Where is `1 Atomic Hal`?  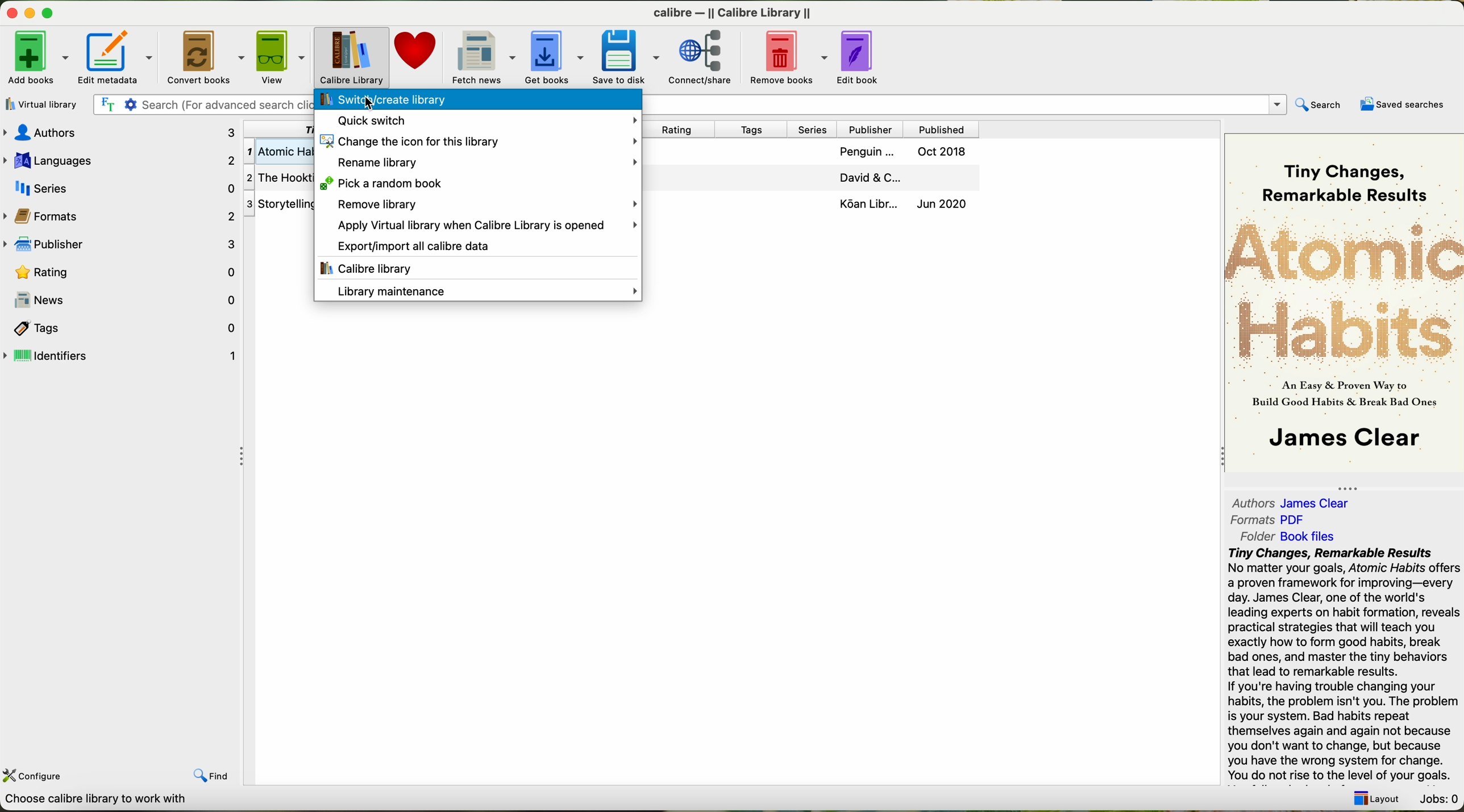
1 Atomic Hal is located at coordinates (280, 149).